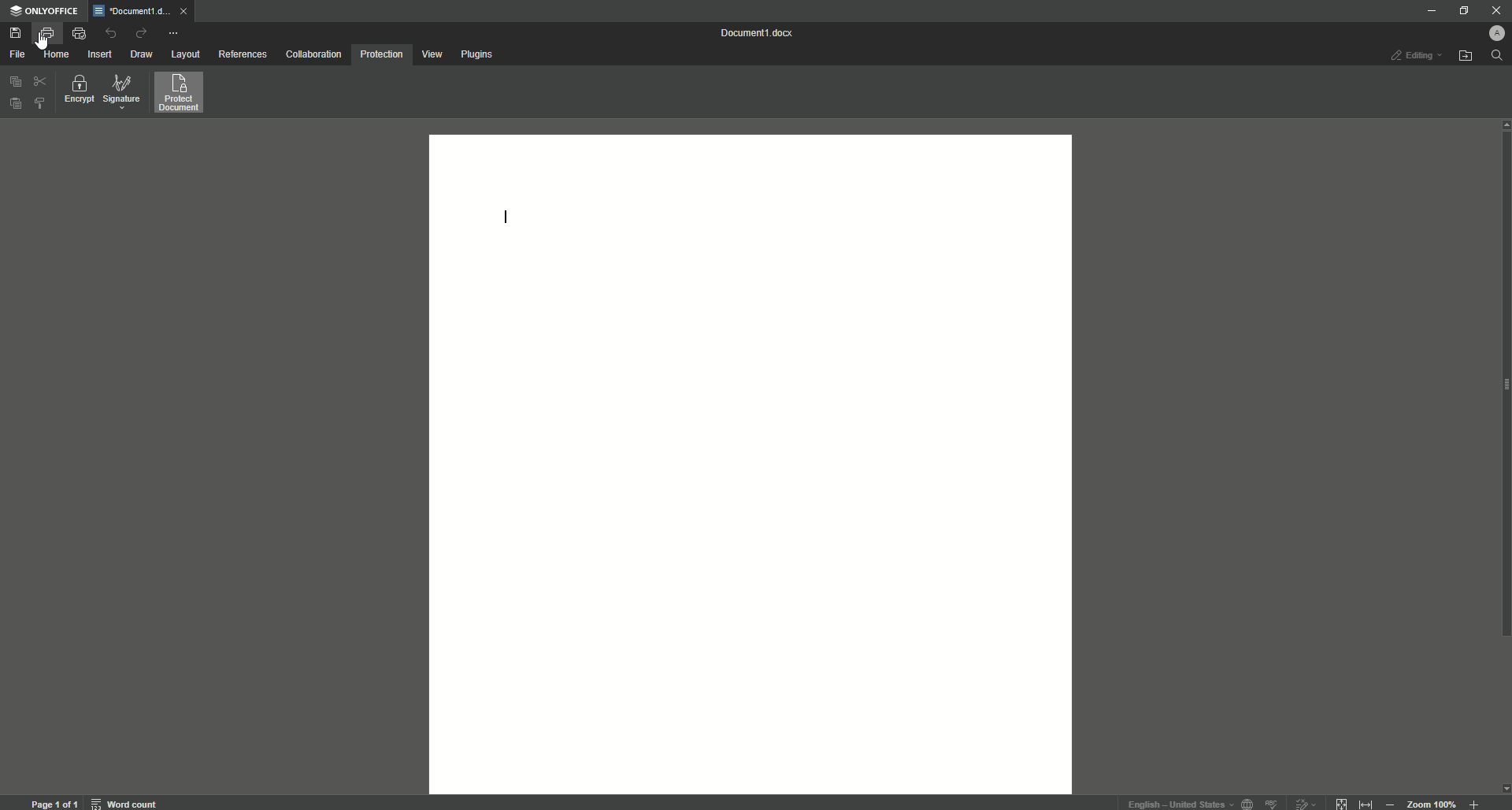  What do you see at coordinates (1490, 32) in the screenshot?
I see `Profile` at bounding box center [1490, 32].